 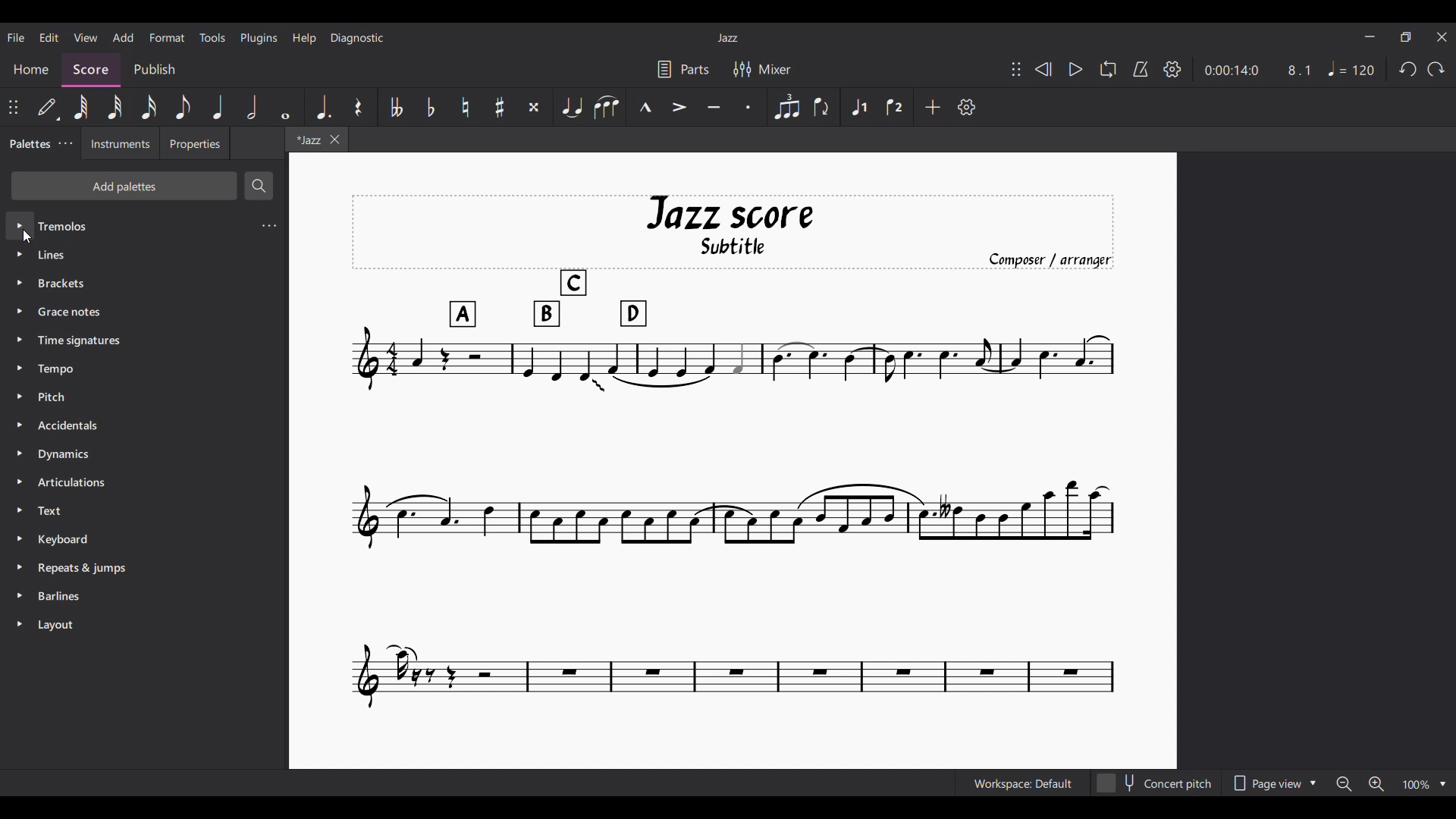 I want to click on Page view, so click(x=1272, y=783).